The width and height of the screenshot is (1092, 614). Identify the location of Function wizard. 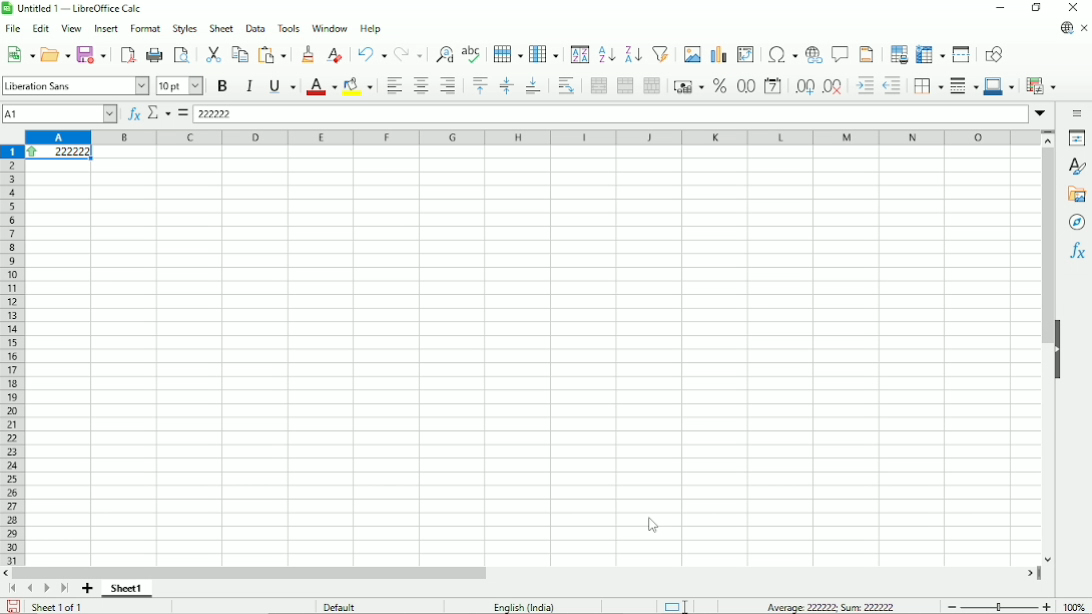
(132, 114).